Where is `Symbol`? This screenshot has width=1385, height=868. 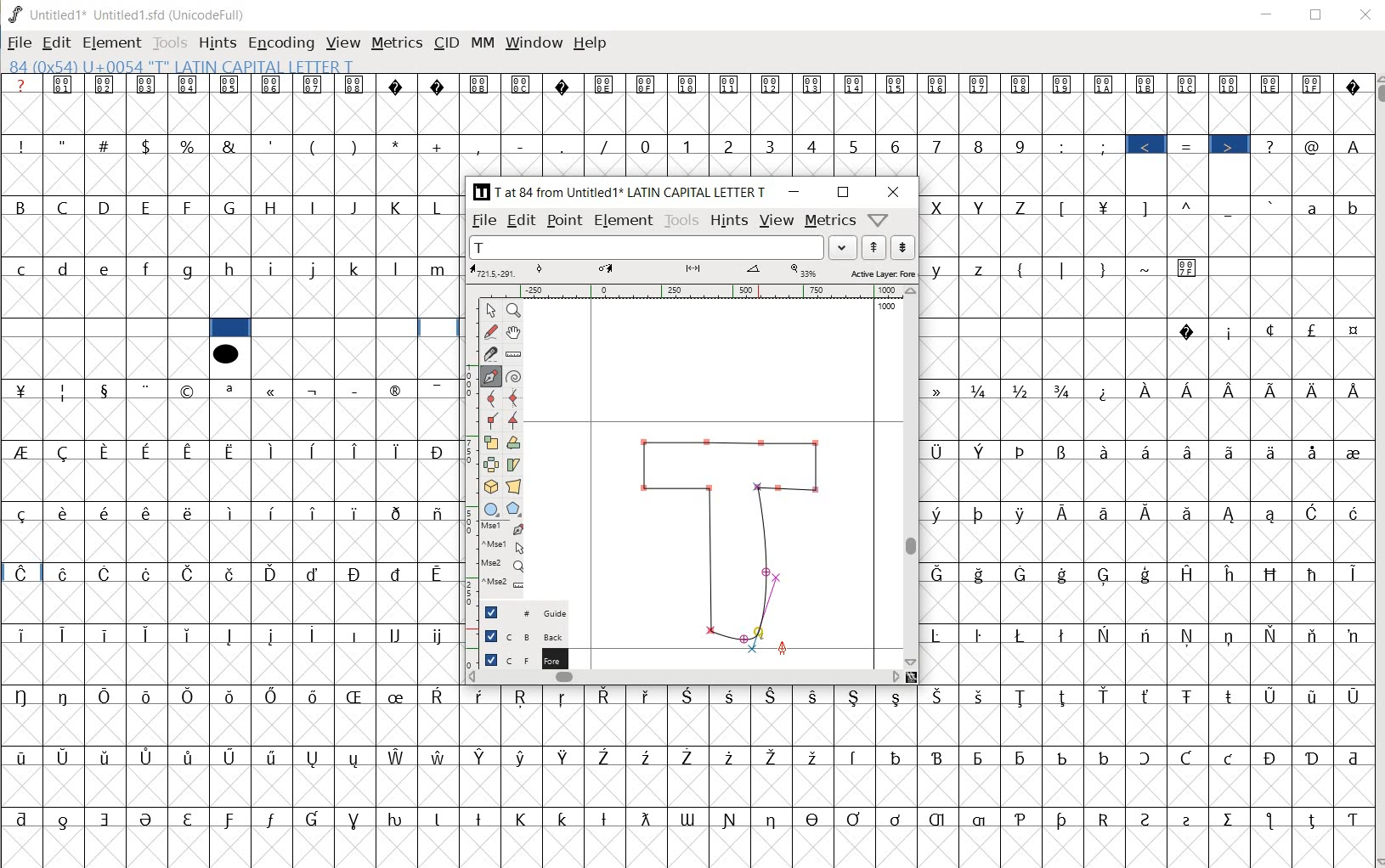
Symbol is located at coordinates (314, 696).